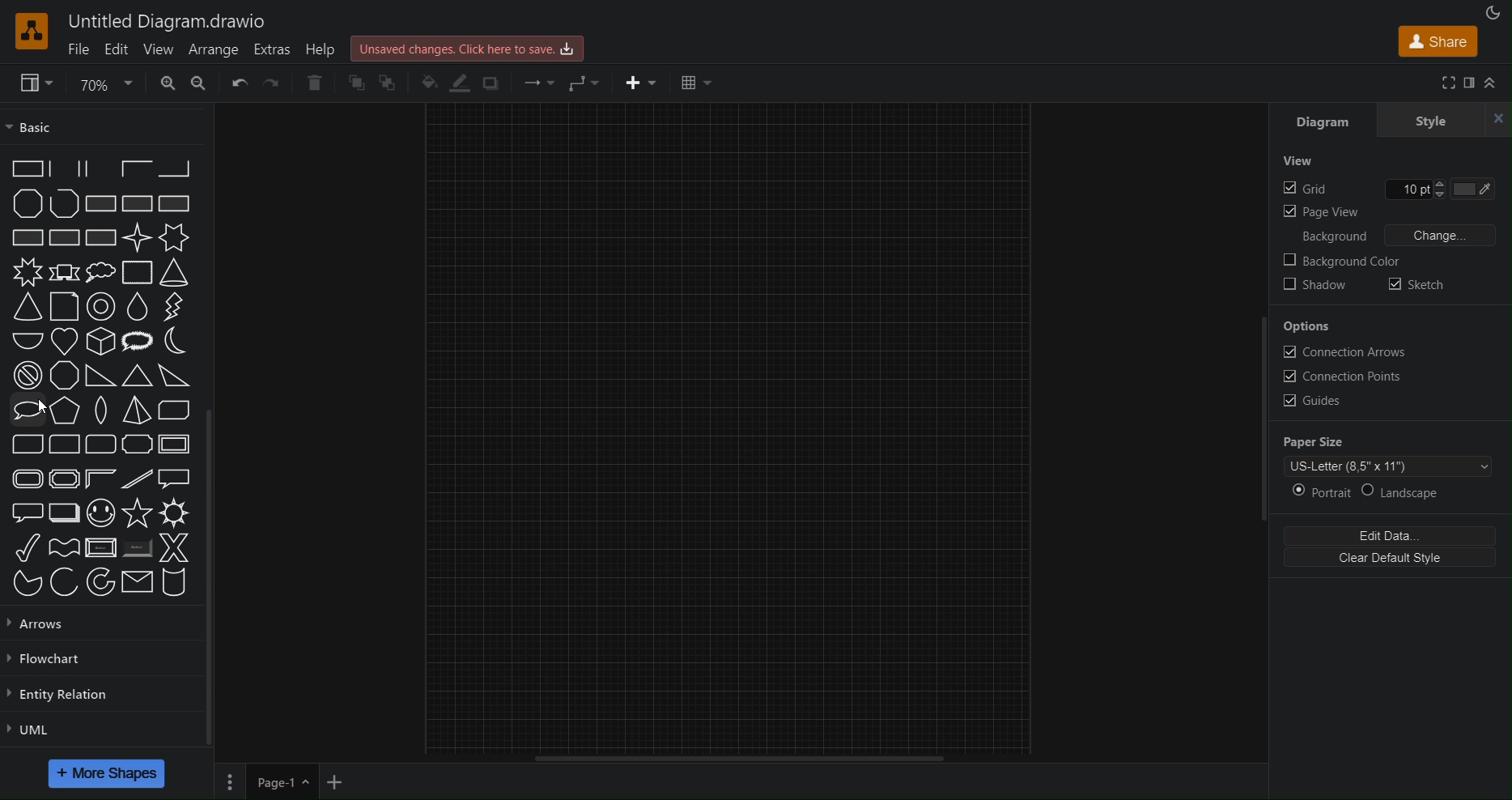 Image resolution: width=1512 pixels, height=800 pixels. Describe the element at coordinates (27, 272) in the screenshot. I see `8 Point Star` at that location.